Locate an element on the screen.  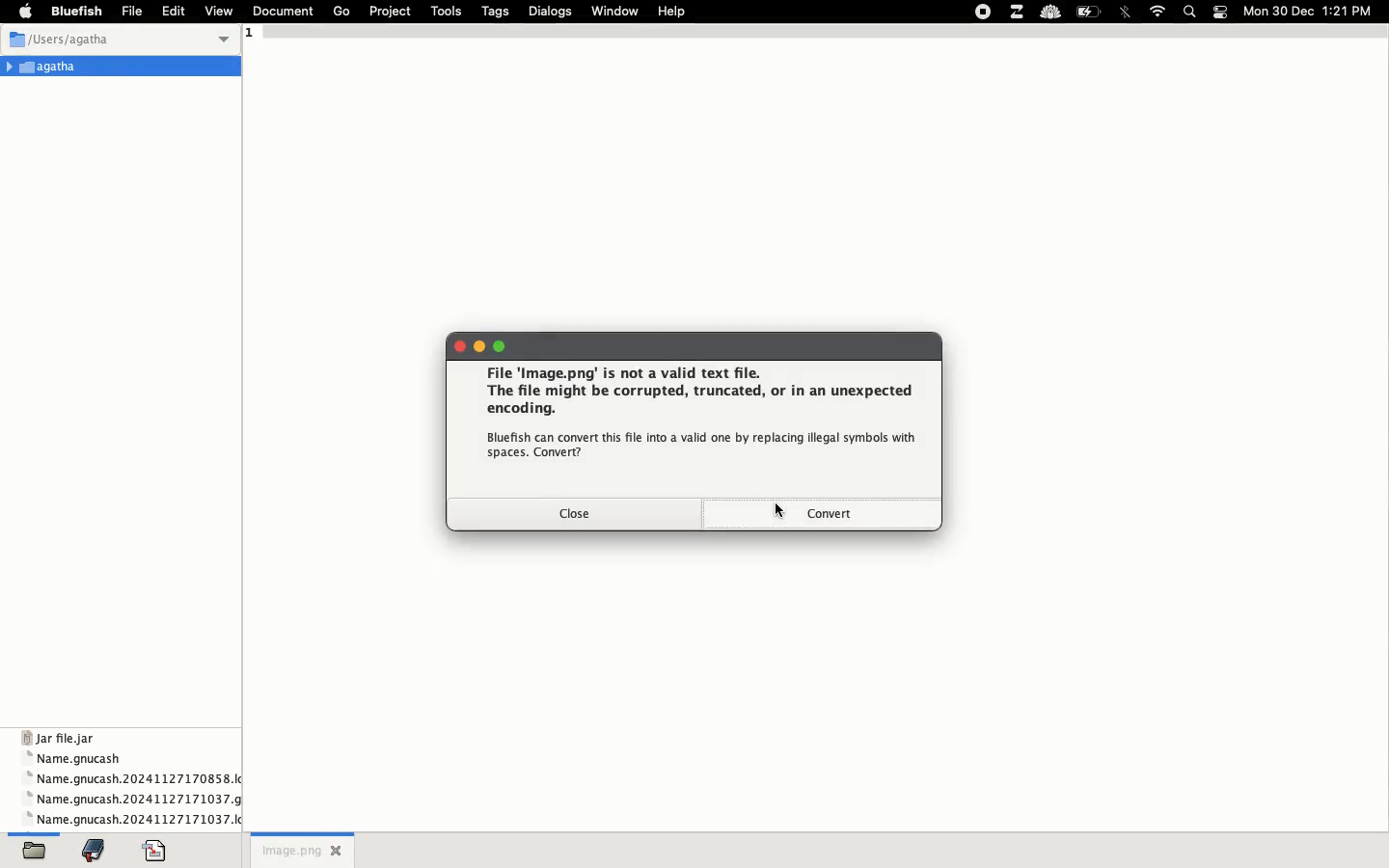
name is located at coordinates (134, 819).